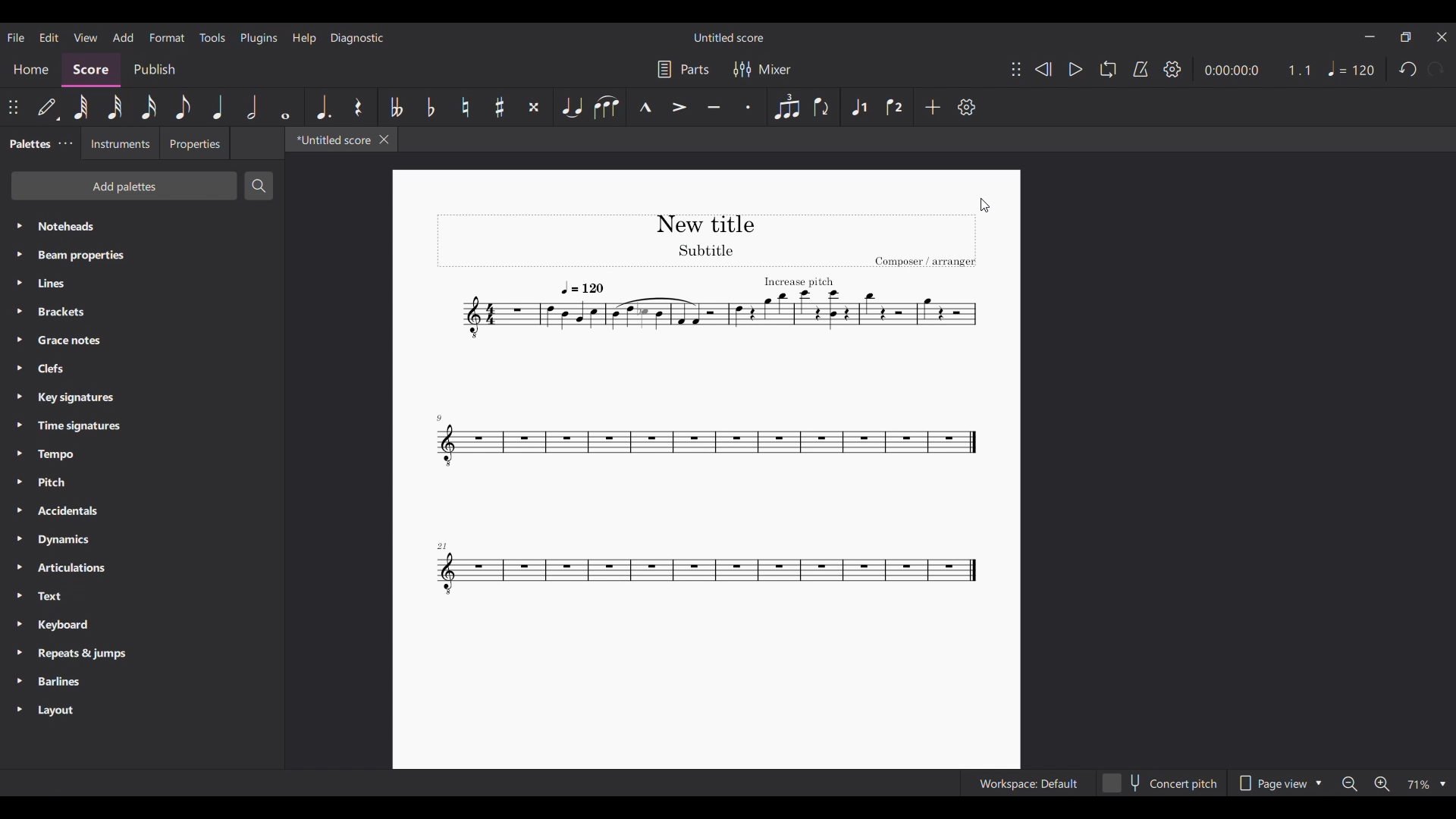 The width and height of the screenshot is (1456, 819). Describe the element at coordinates (821, 108) in the screenshot. I see `Flip direction` at that location.